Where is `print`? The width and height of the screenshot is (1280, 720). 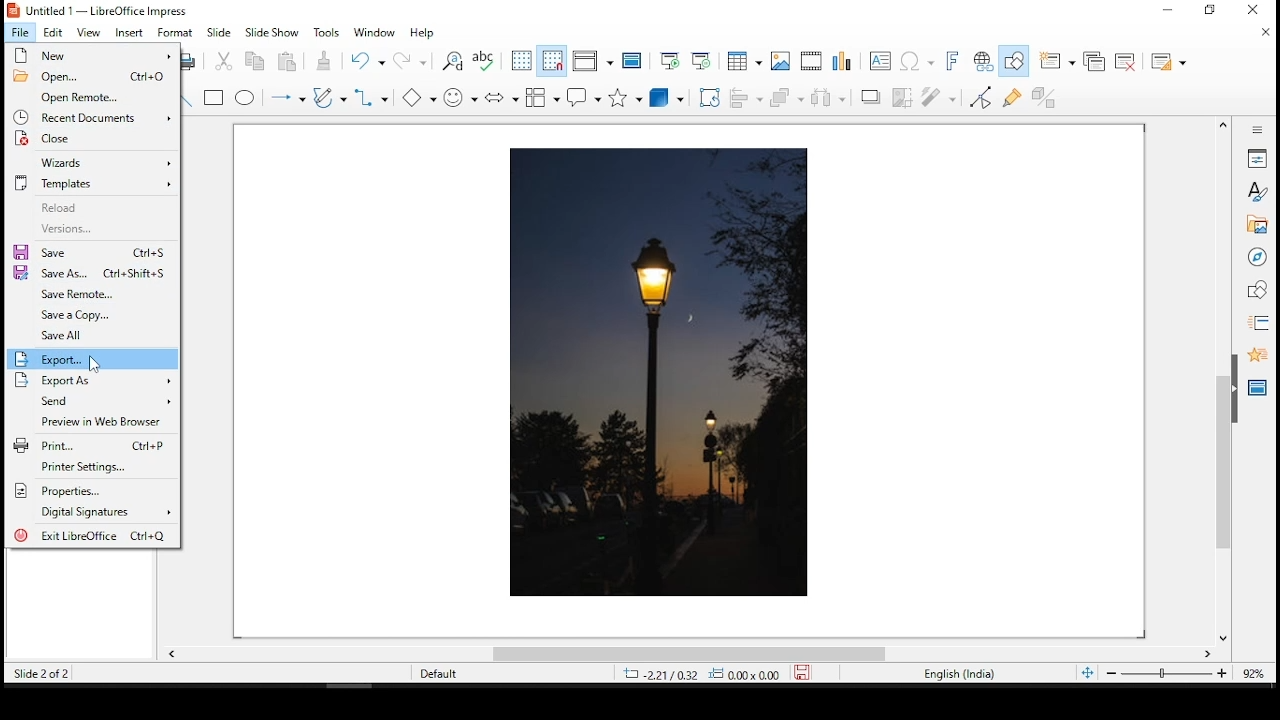 print is located at coordinates (186, 62).